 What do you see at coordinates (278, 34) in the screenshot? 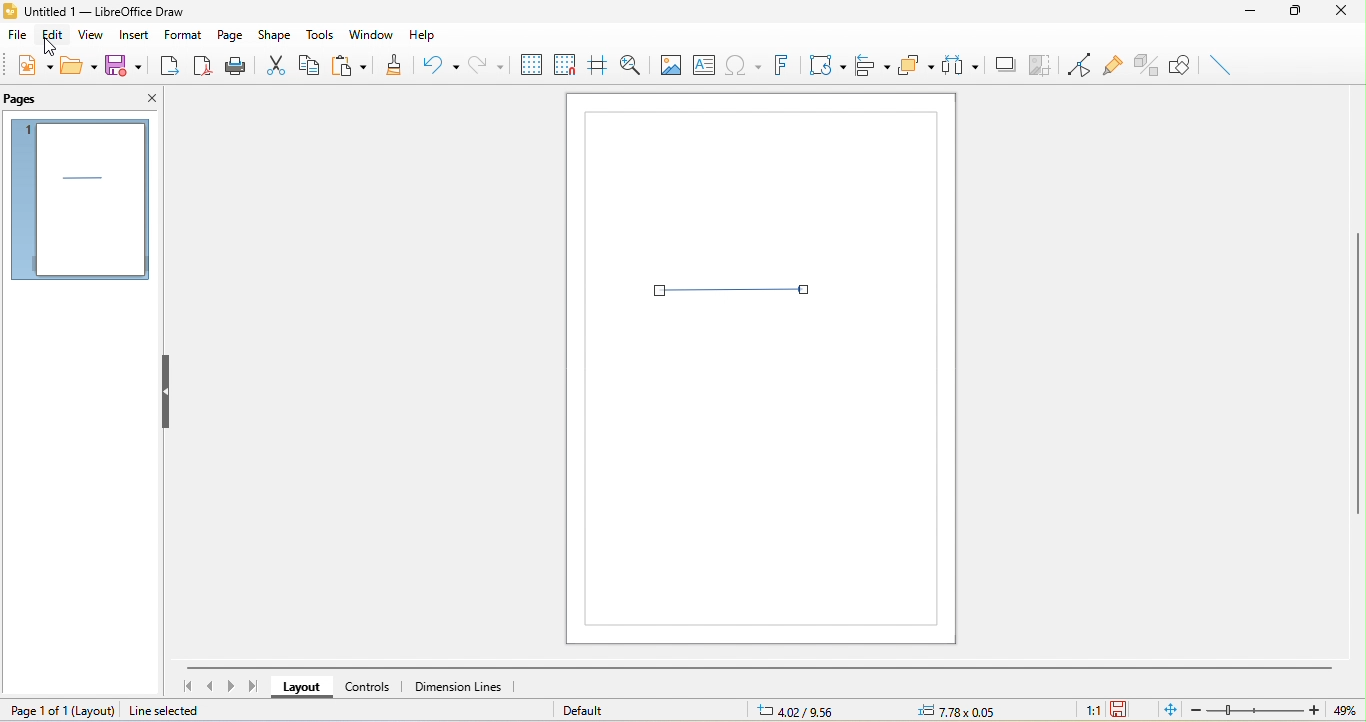
I see `shape` at bounding box center [278, 34].